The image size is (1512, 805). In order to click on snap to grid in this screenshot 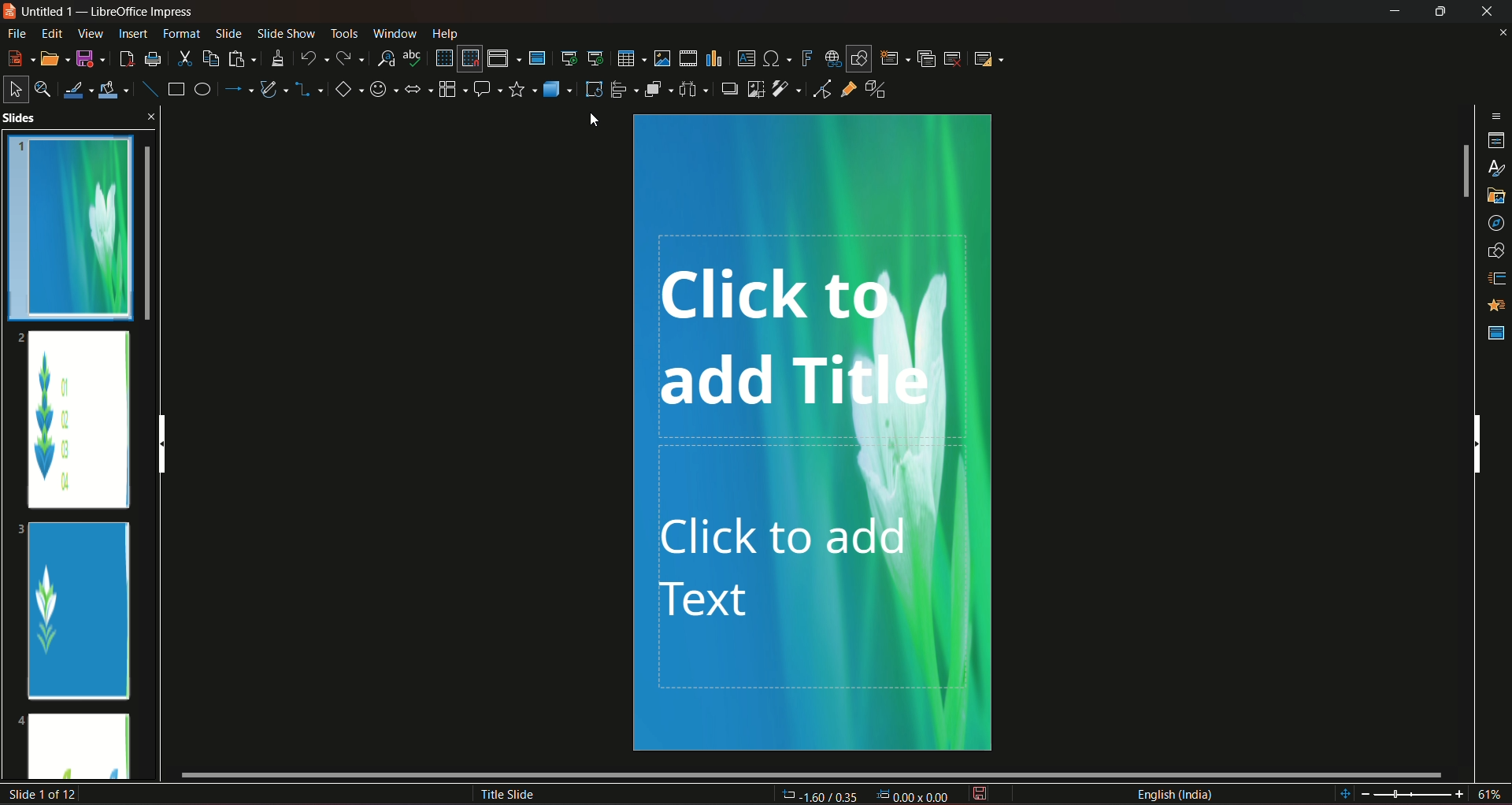, I will do `click(470, 60)`.